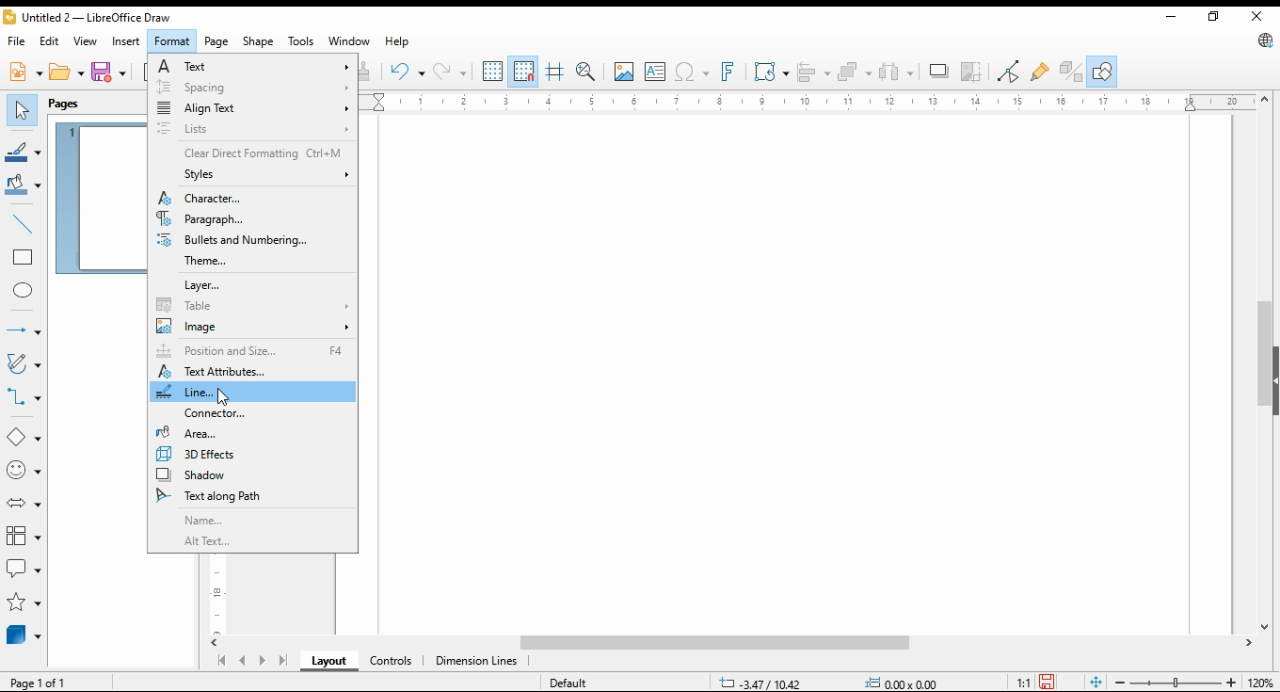 The image size is (1280, 692). What do you see at coordinates (1096, 683) in the screenshot?
I see `fit page to window` at bounding box center [1096, 683].